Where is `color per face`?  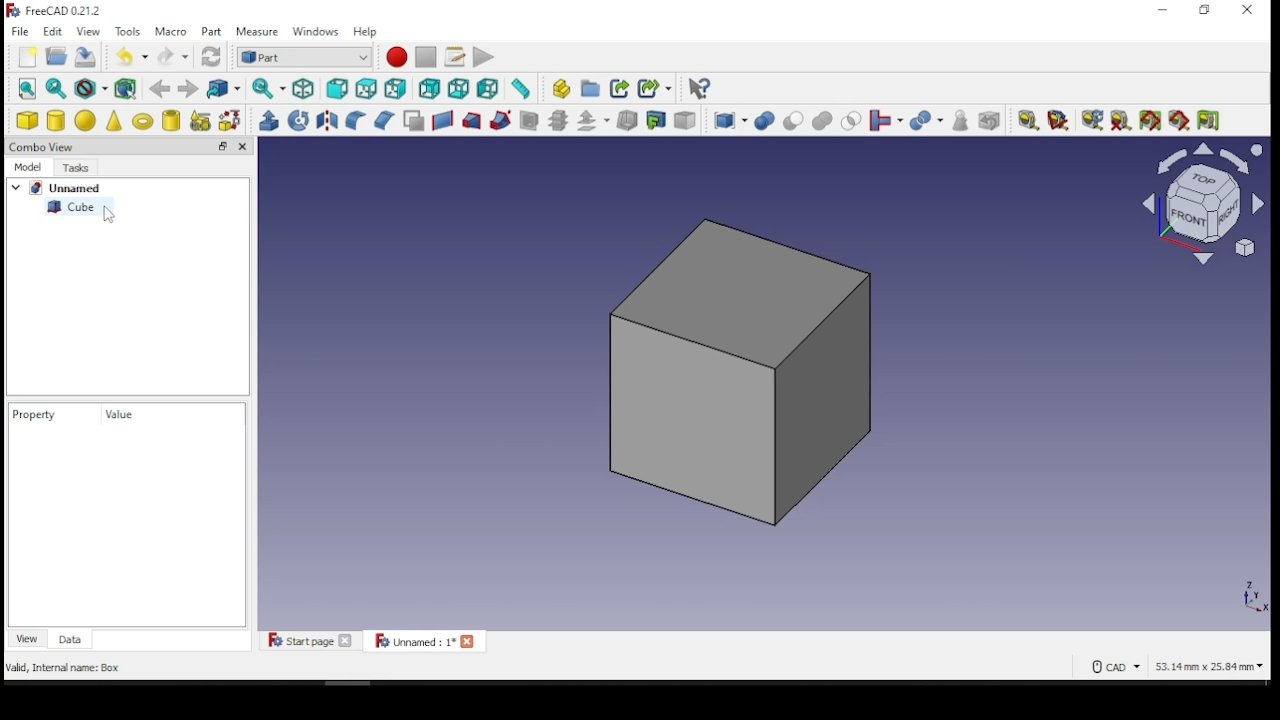 color per face is located at coordinates (688, 120).